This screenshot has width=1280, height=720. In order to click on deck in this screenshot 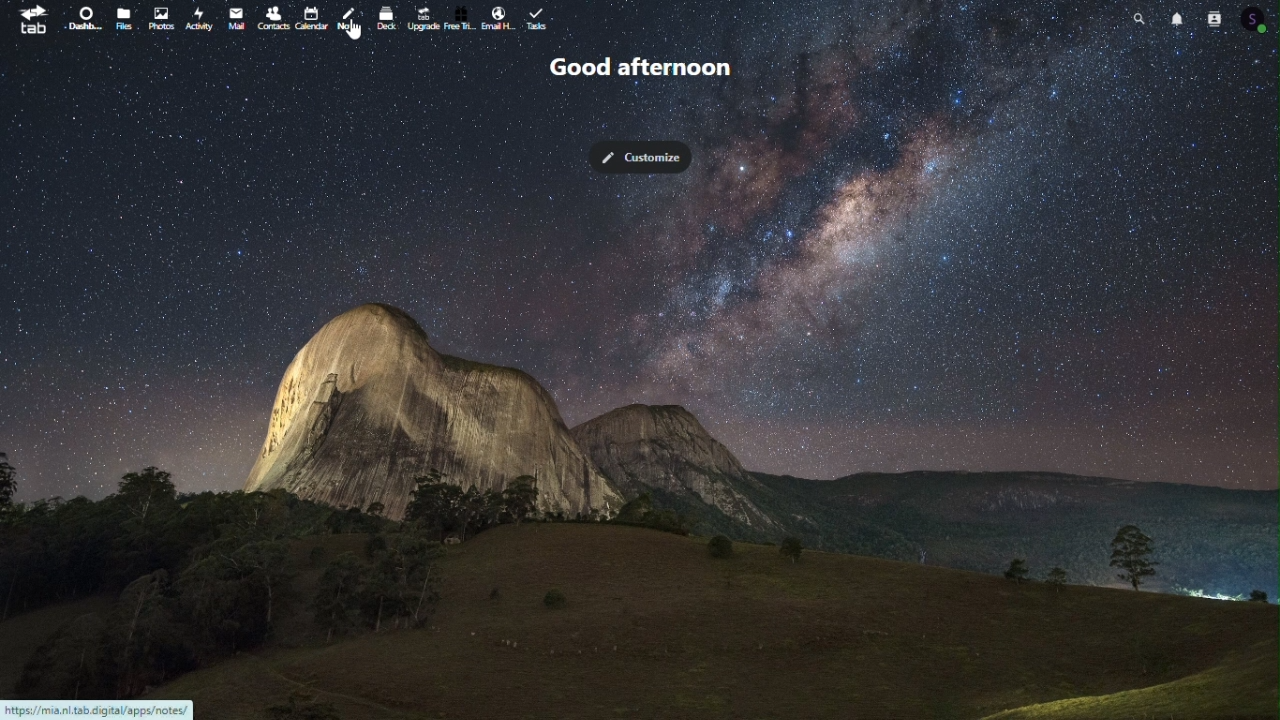, I will do `click(388, 20)`.